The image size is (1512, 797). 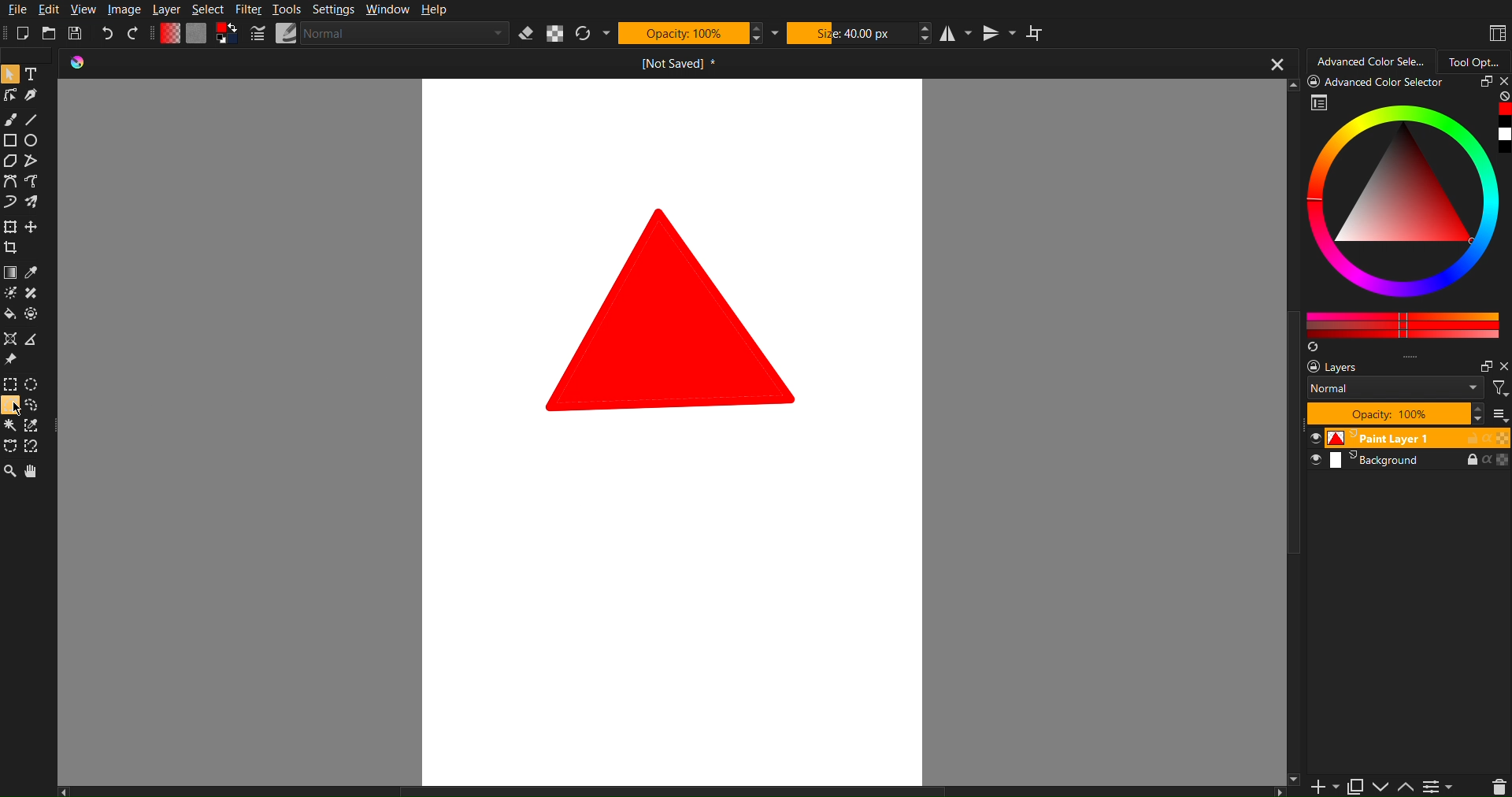 I want to click on Alpha, so click(x=555, y=34).